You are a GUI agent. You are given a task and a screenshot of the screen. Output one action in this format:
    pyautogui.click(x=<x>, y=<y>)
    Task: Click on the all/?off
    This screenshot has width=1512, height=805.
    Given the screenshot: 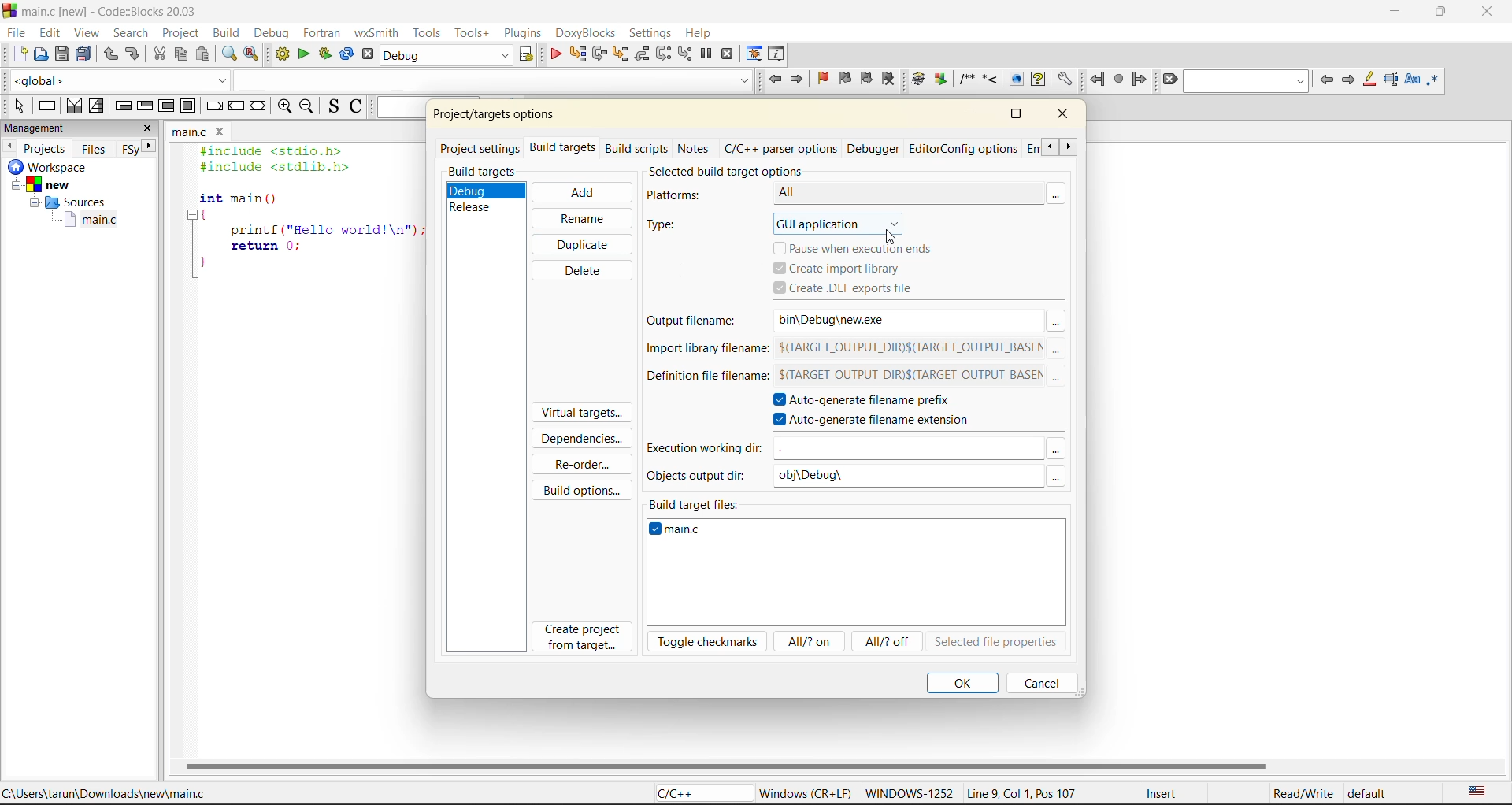 What is the action you would take?
    pyautogui.click(x=889, y=643)
    